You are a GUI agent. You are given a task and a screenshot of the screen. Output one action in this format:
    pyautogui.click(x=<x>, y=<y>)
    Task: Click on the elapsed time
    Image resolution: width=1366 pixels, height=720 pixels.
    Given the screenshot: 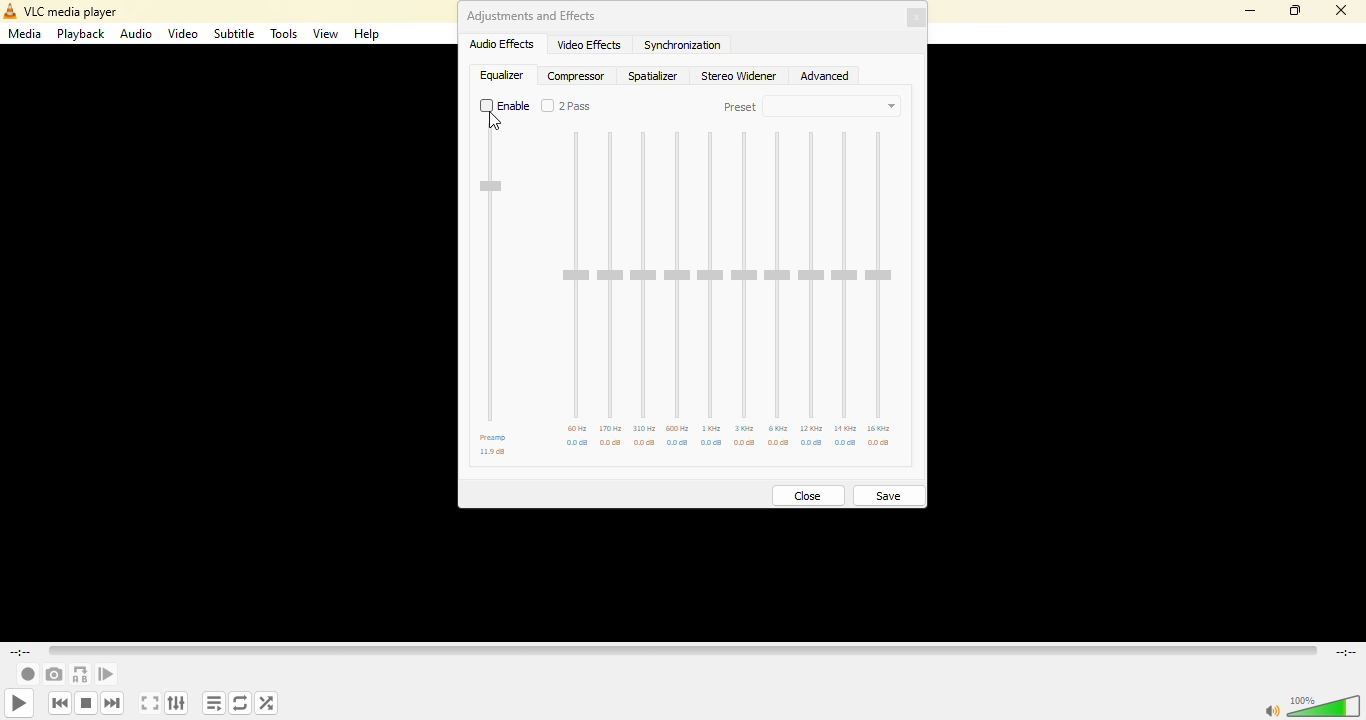 What is the action you would take?
    pyautogui.click(x=24, y=651)
    